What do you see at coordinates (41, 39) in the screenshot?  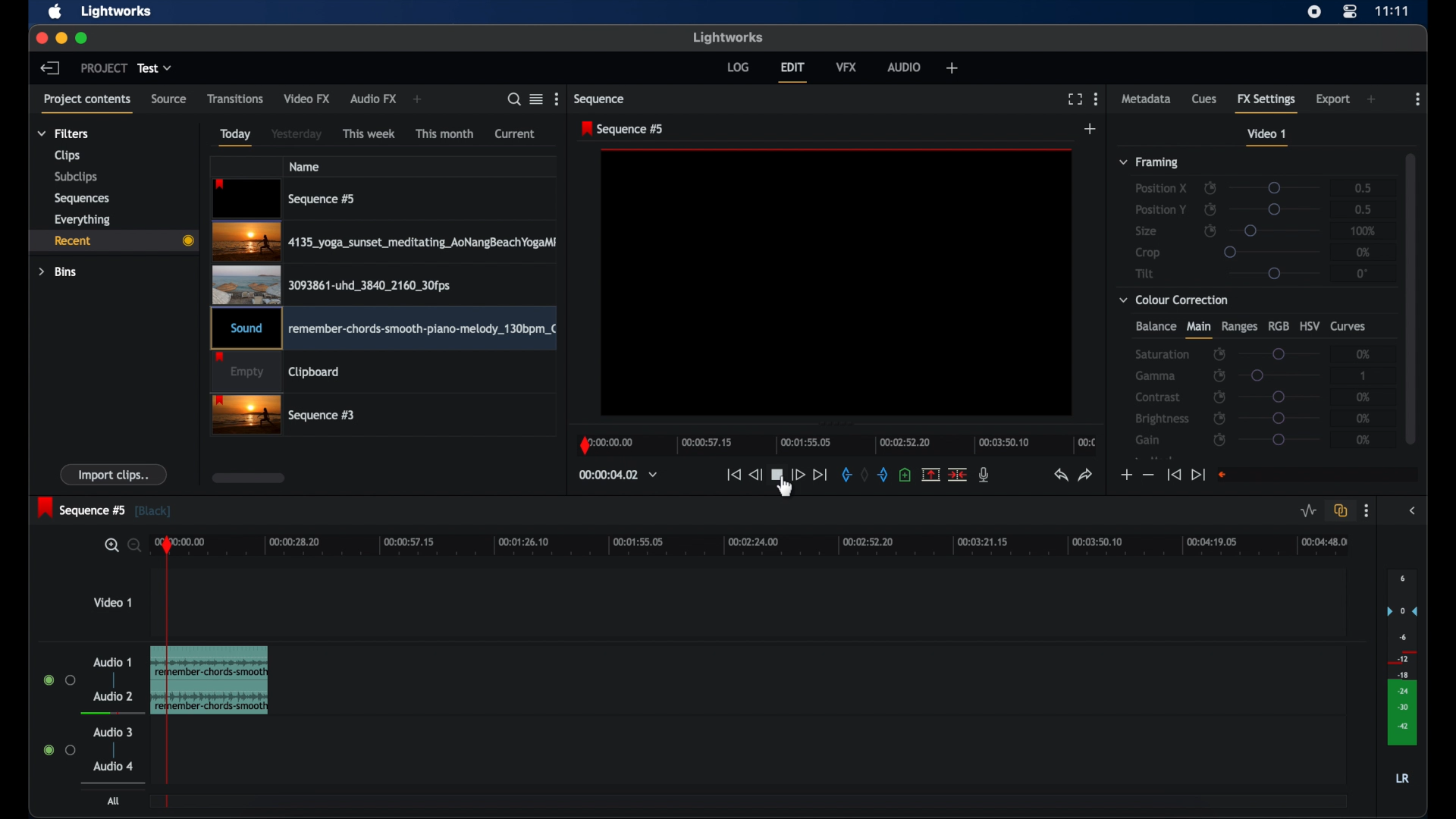 I see `close` at bounding box center [41, 39].